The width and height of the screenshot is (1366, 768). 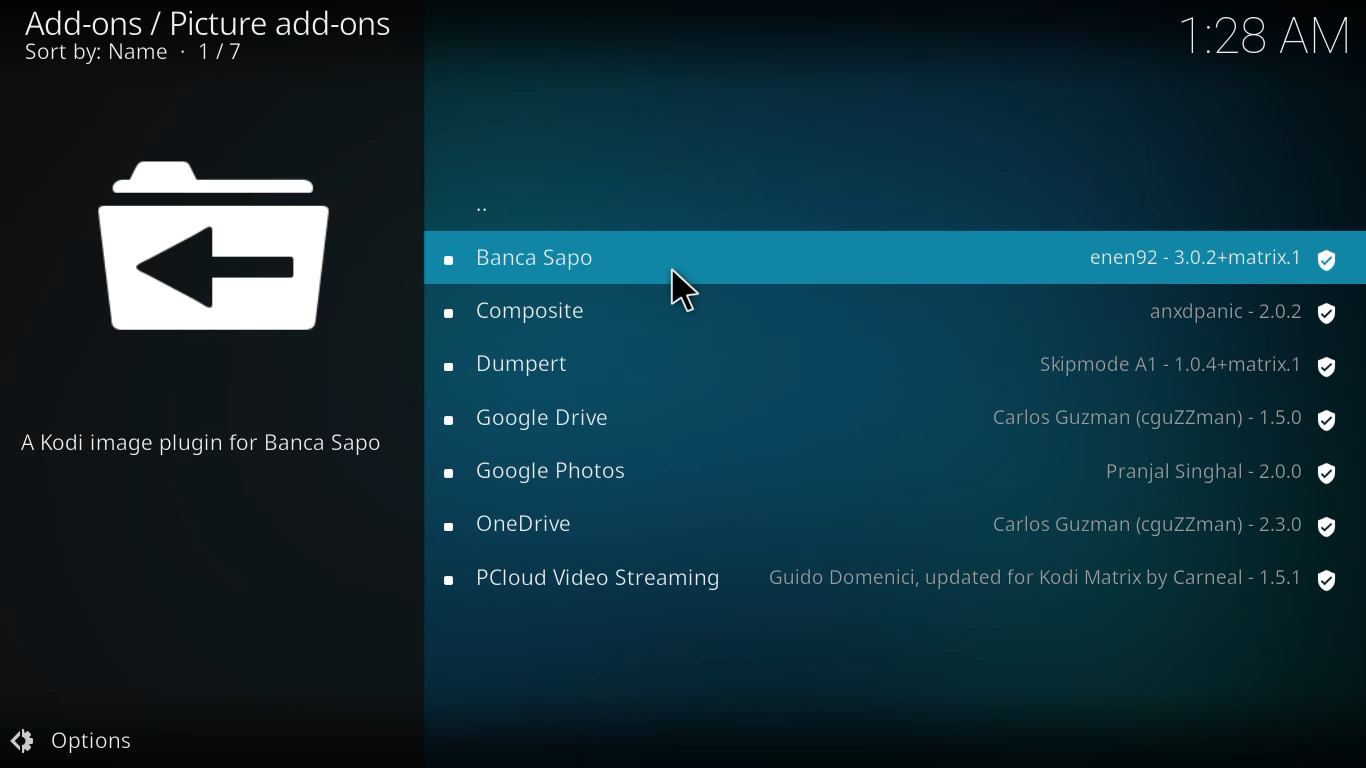 What do you see at coordinates (71, 741) in the screenshot?
I see `options` at bounding box center [71, 741].